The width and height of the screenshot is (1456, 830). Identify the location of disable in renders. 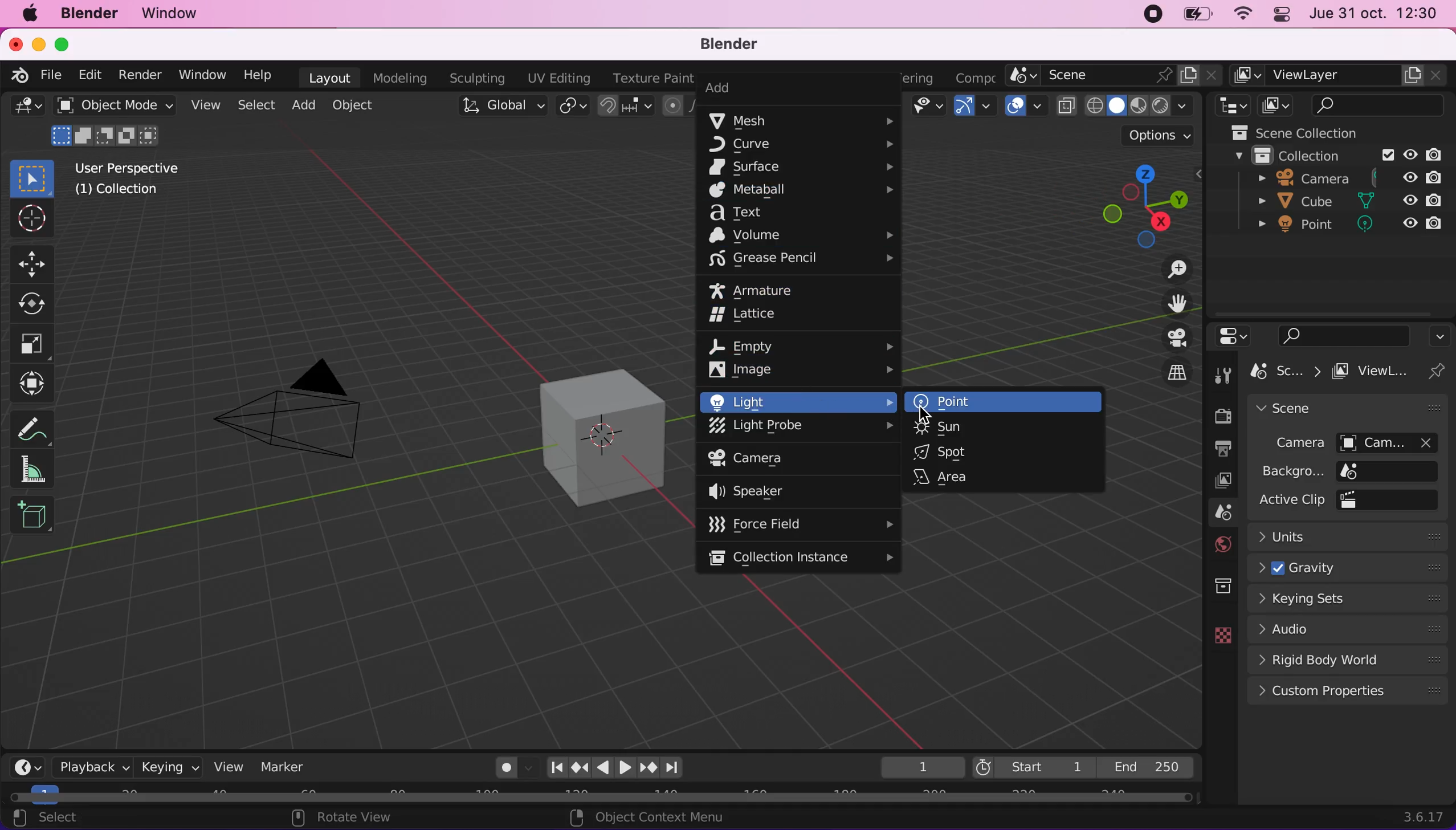
(1435, 179).